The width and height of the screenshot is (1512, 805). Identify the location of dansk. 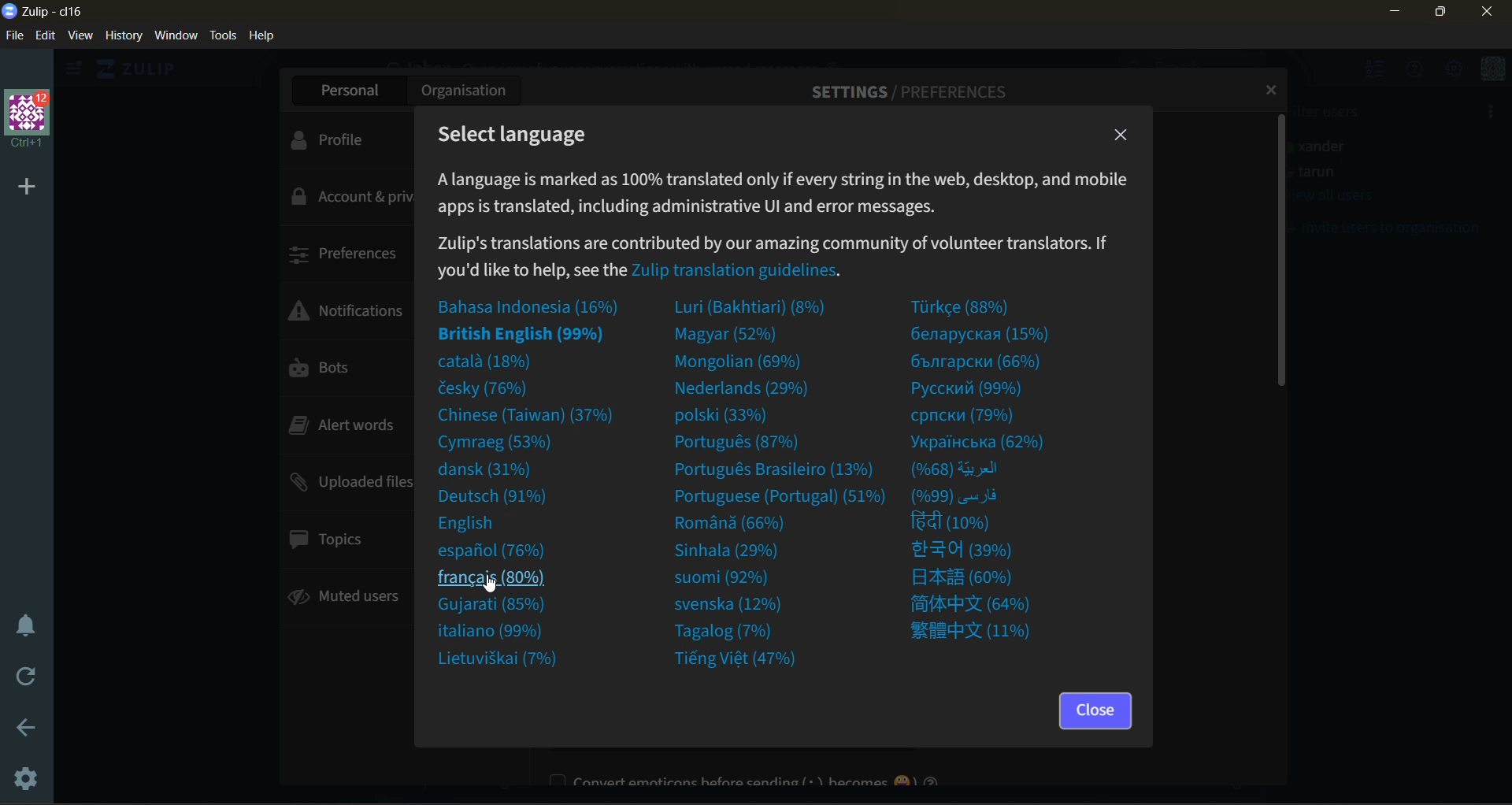
(498, 472).